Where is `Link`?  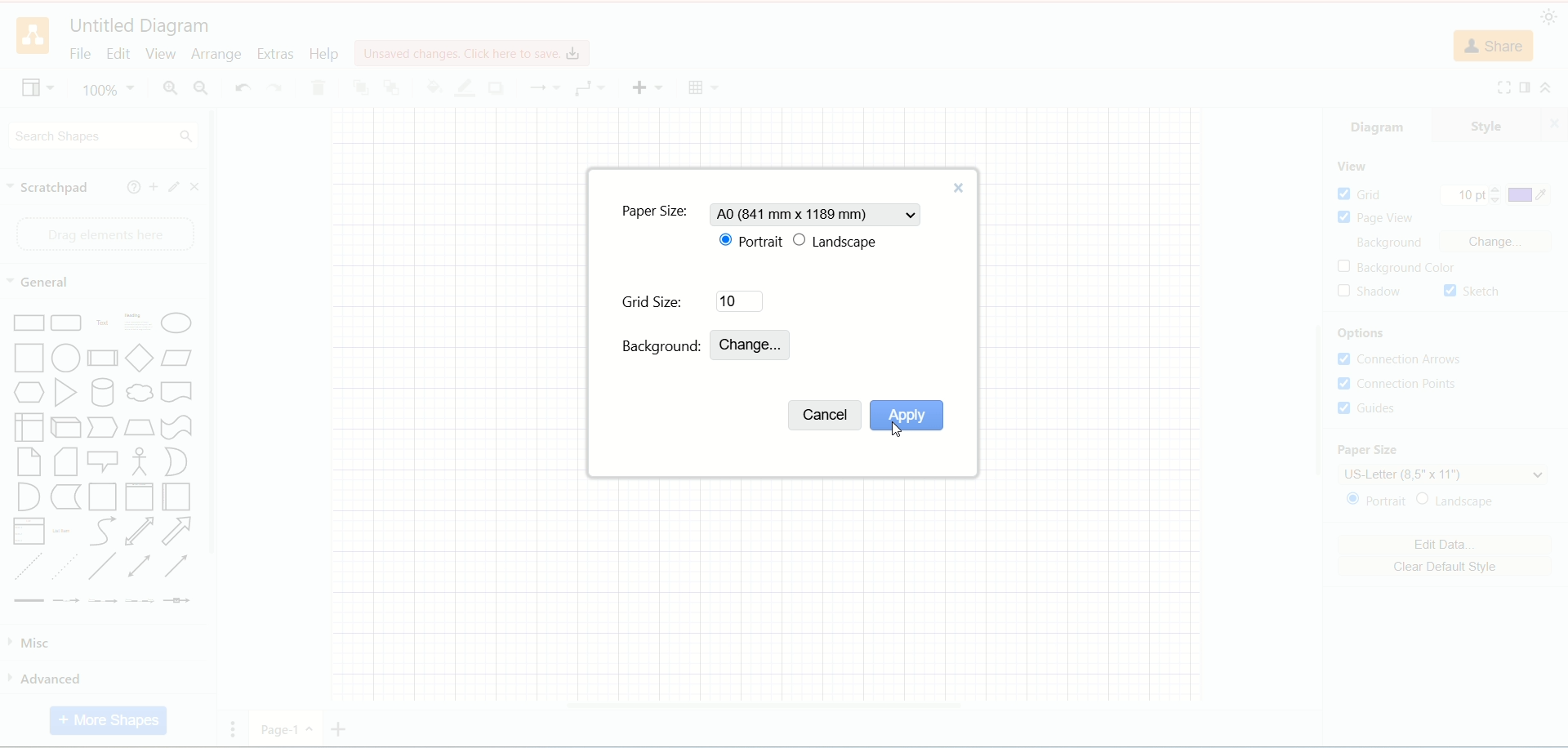
Link is located at coordinates (29, 601).